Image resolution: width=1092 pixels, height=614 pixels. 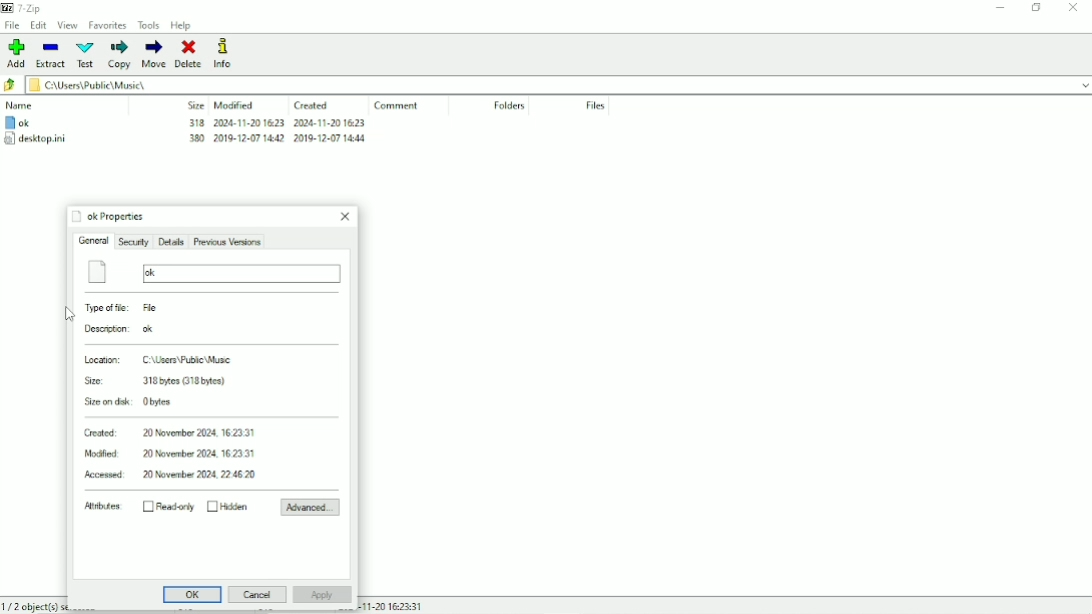 I want to click on Help, so click(x=182, y=25).